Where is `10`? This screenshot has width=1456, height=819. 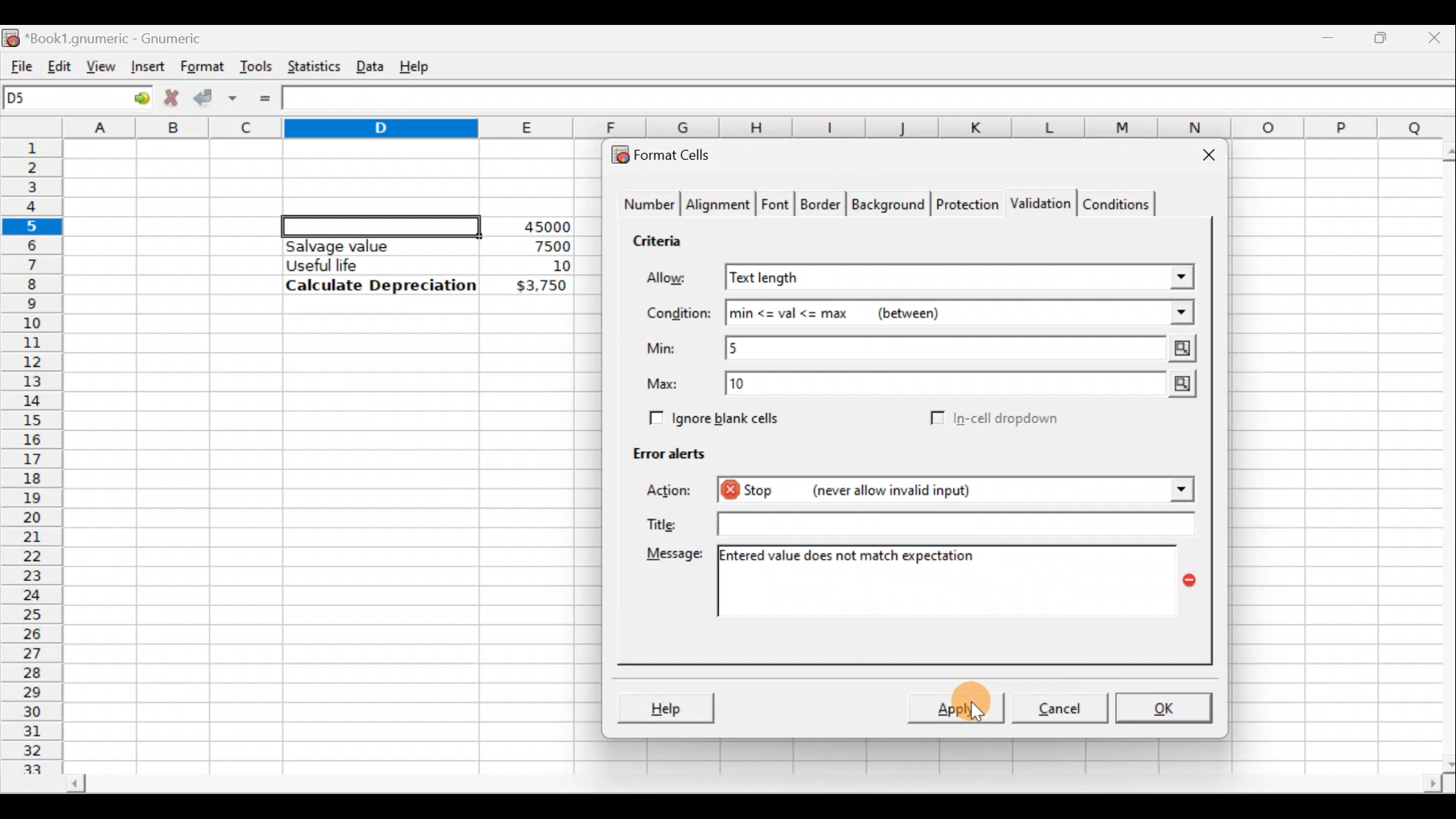 10 is located at coordinates (543, 266).